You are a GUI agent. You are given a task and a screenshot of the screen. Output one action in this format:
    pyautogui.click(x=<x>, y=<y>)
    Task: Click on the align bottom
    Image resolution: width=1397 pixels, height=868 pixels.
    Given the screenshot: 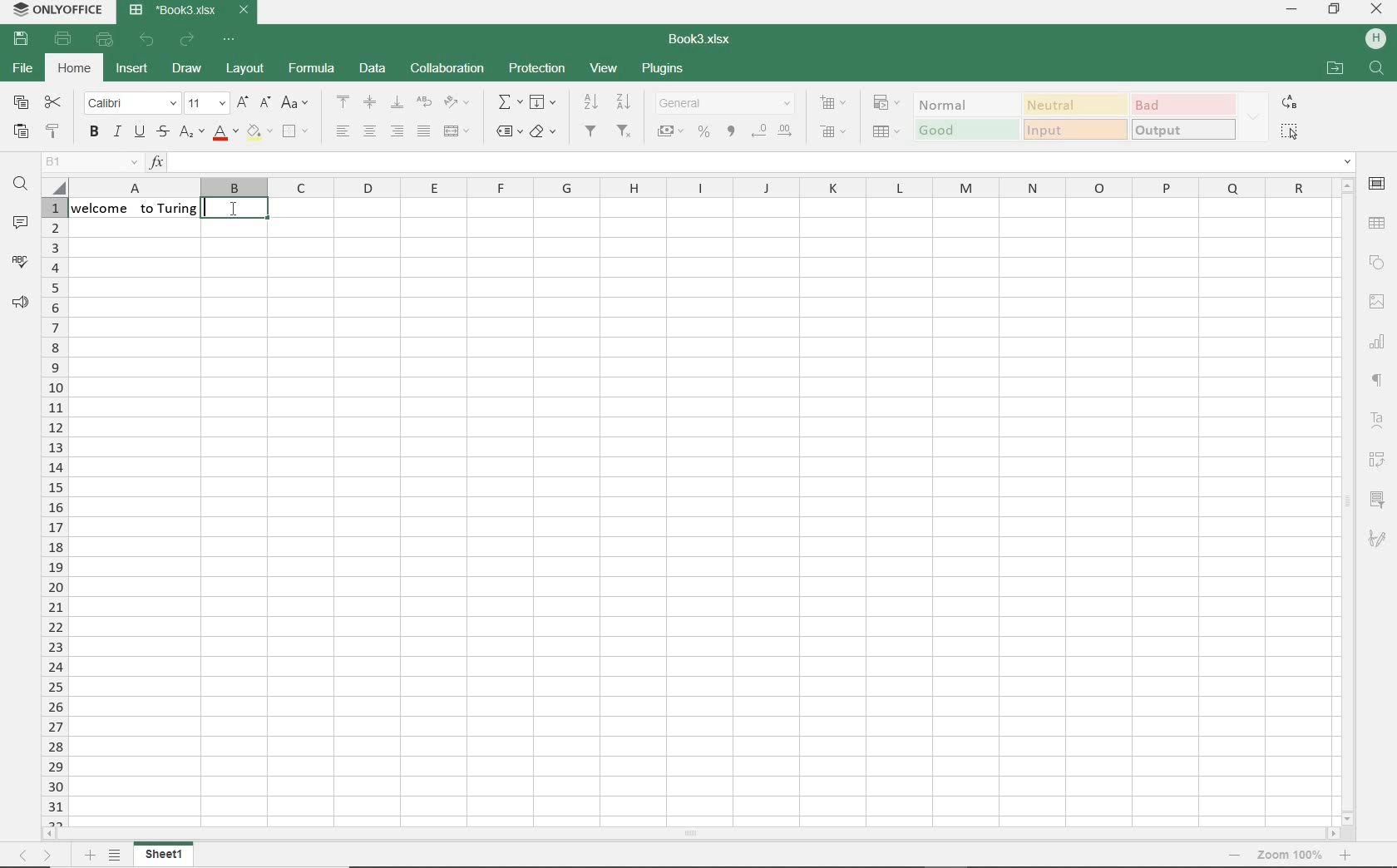 What is the action you would take?
    pyautogui.click(x=396, y=101)
    